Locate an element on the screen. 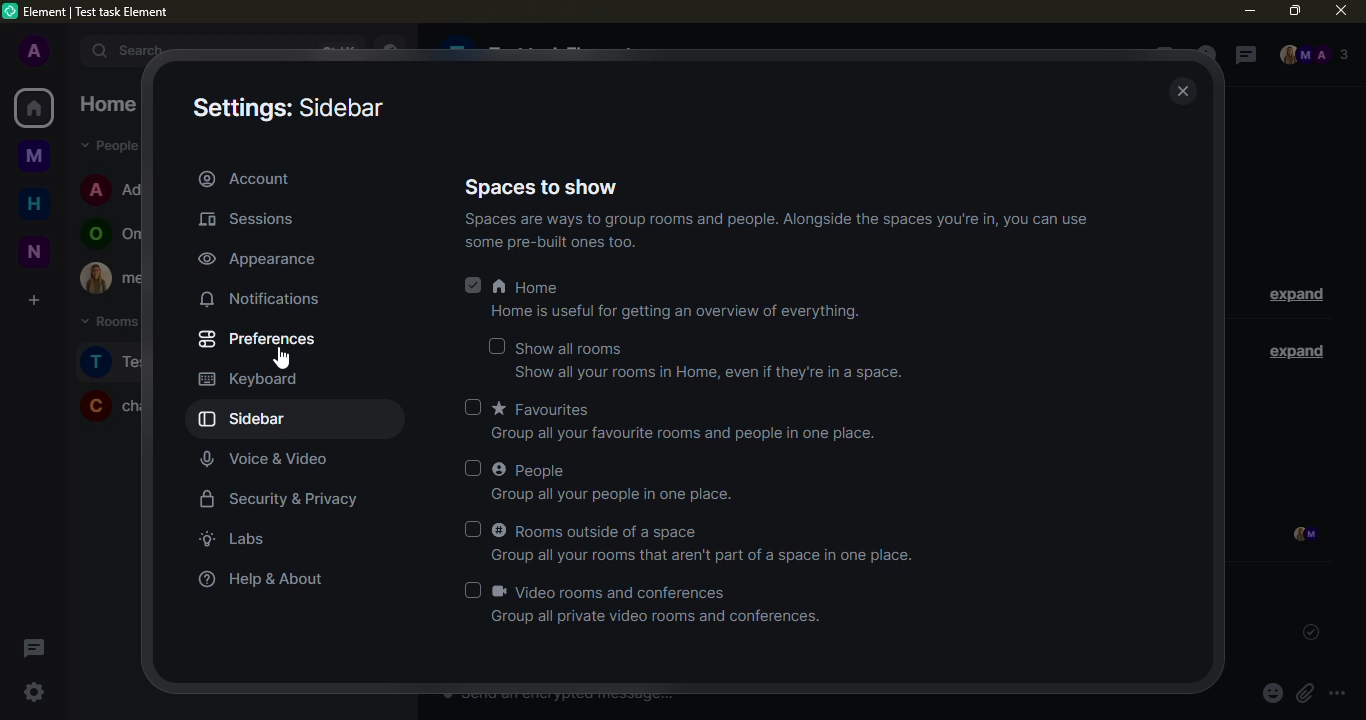  show all rooms is located at coordinates (571, 348).